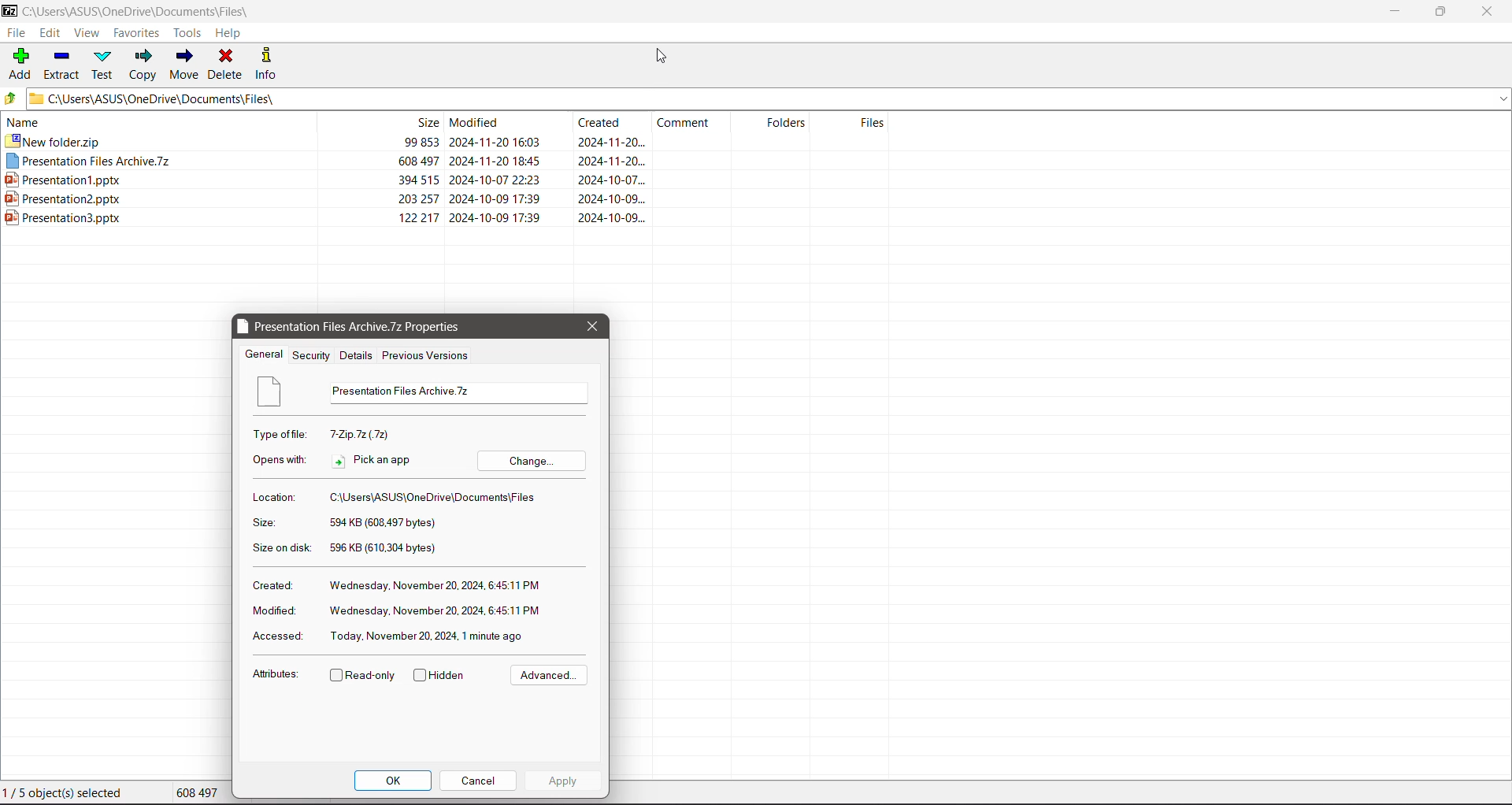  Describe the element at coordinates (275, 393) in the screenshot. I see `Archive File Icon` at that location.